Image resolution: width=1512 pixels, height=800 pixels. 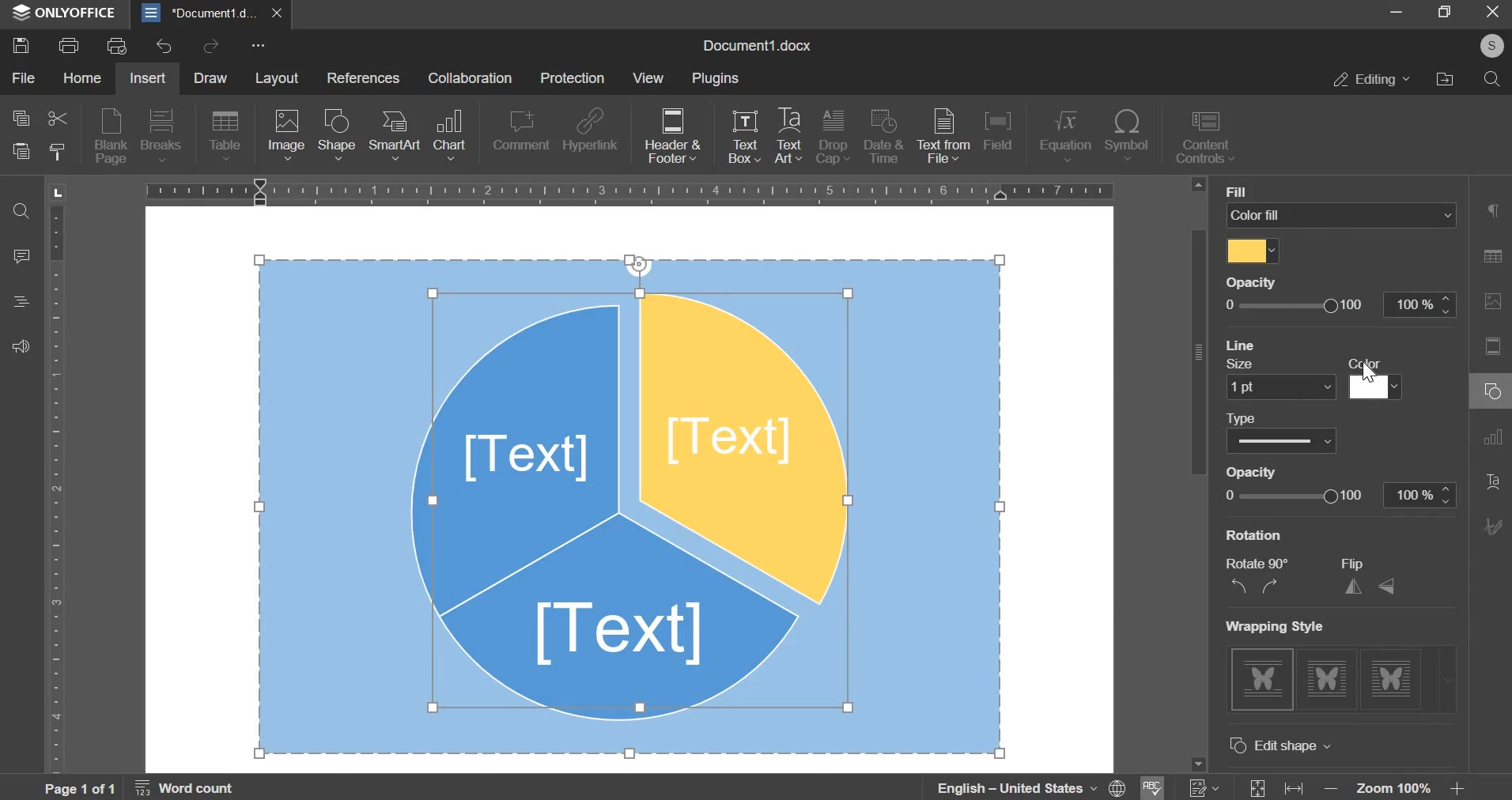 I want to click on , so click(x=1267, y=563).